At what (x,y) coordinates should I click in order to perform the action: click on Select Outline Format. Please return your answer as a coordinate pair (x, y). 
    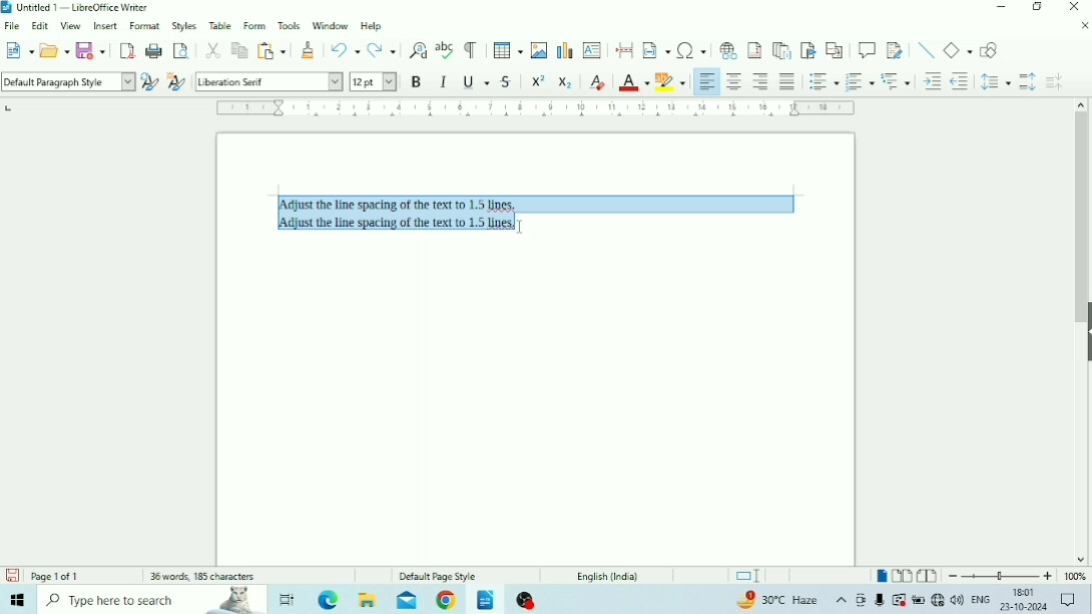
    Looking at the image, I should click on (896, 81).